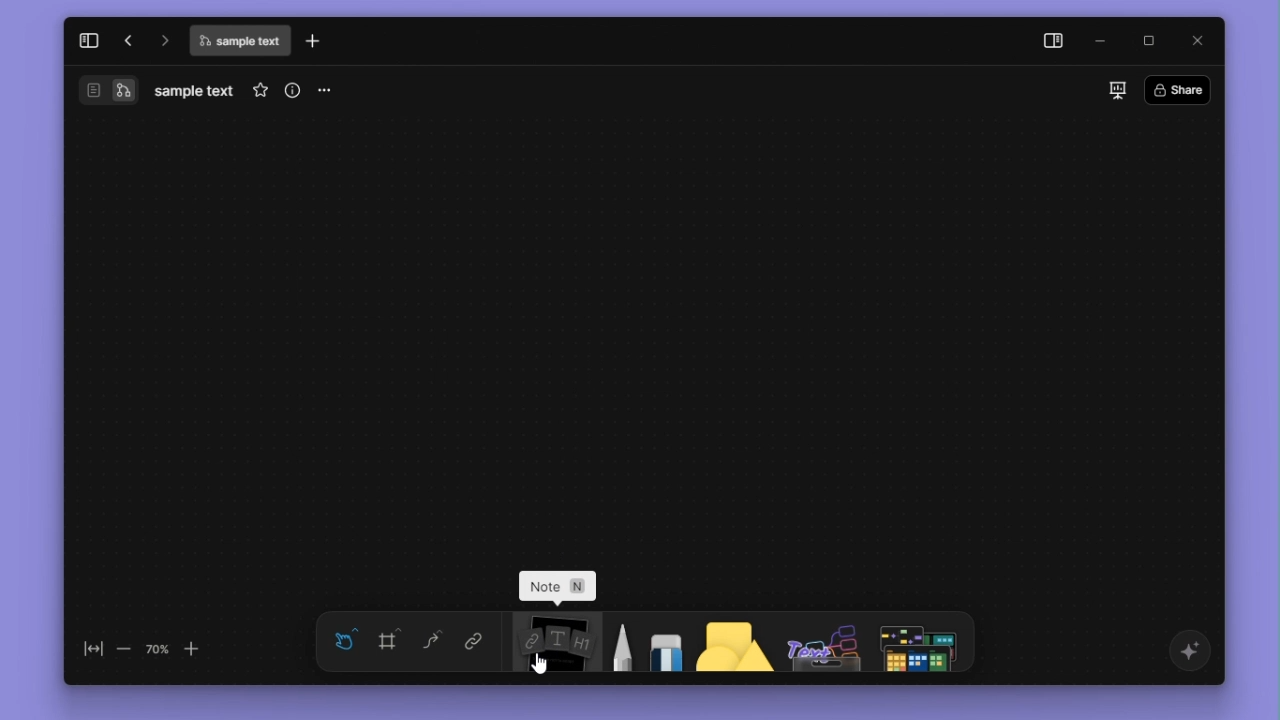 Image resolution: width=1280 pixels, height=720 pixels. I want to click on Select V, so click(341, 638).